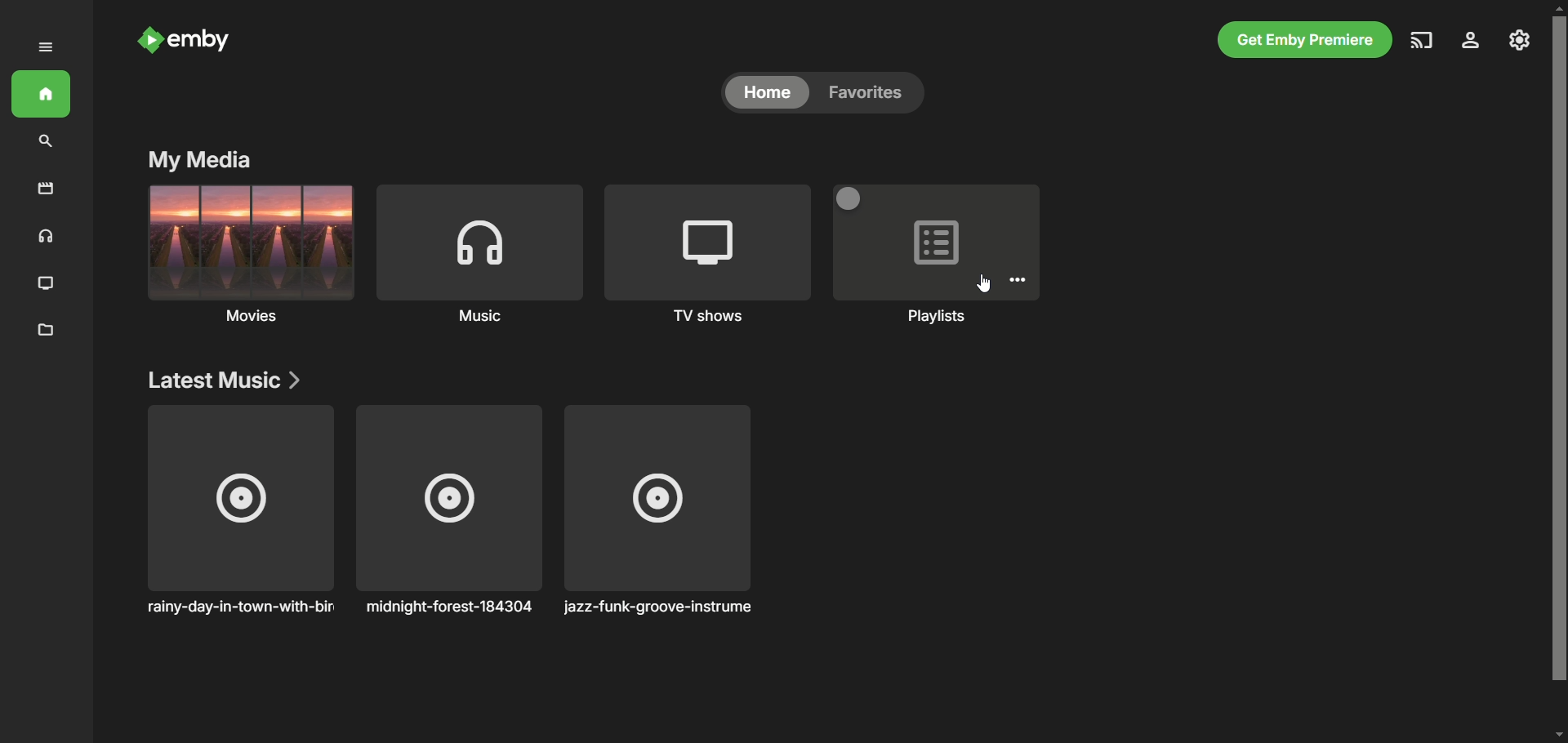  What do you see at coordinates (221, 380) in the screenshot?
I see `latest music` at bounding box center [221, 380].